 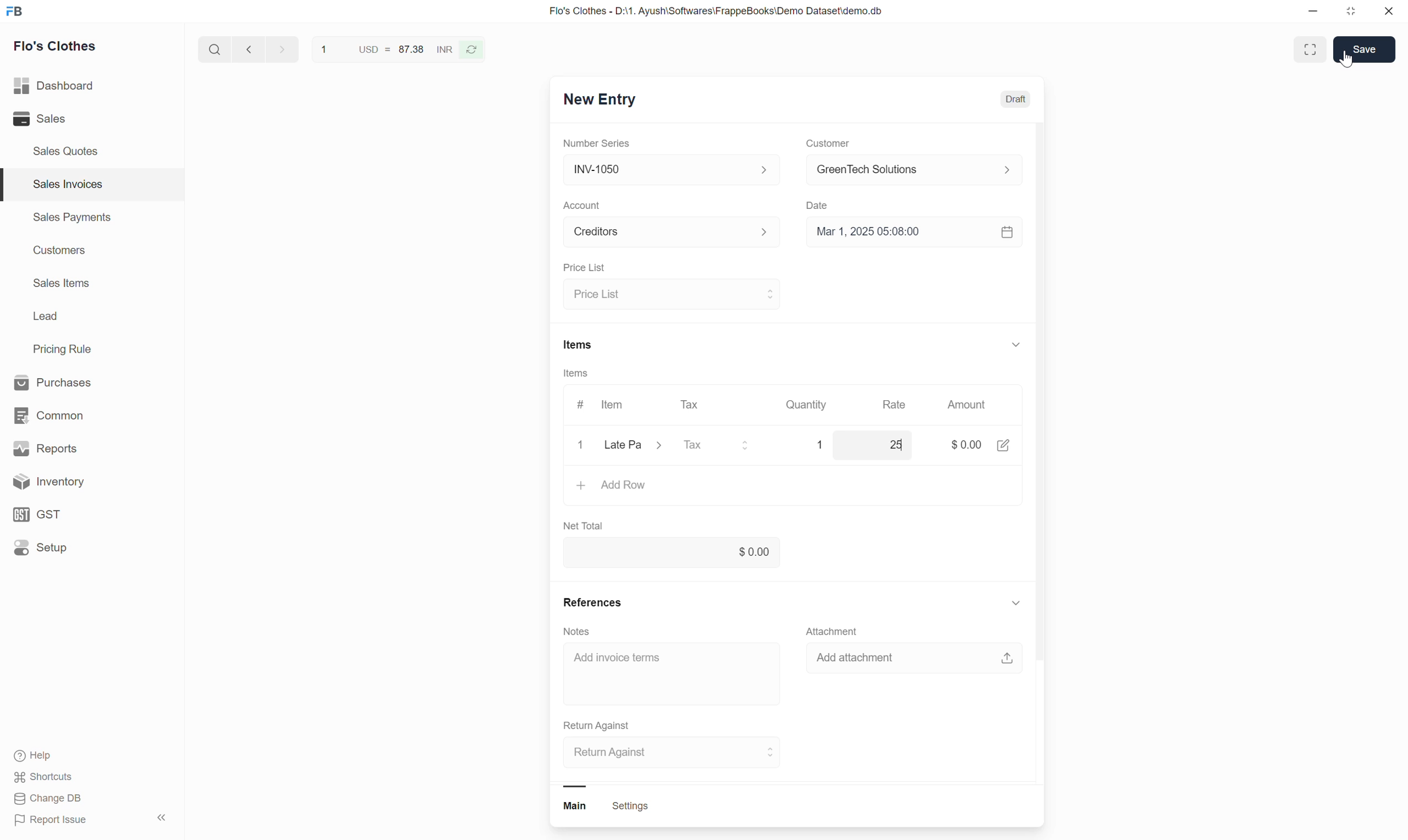 What do you see at coordinates (614, 405) in the screenshot?
I see `Item` at bounding box center [614, 405].